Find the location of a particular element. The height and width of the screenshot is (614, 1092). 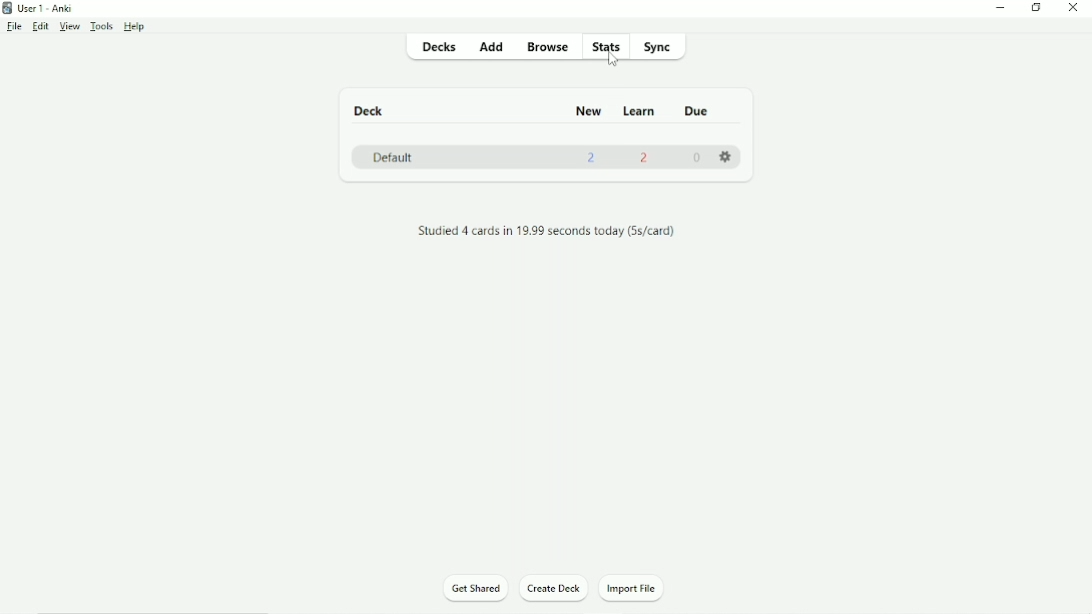

Cursor is located at coordinates (614, 61).